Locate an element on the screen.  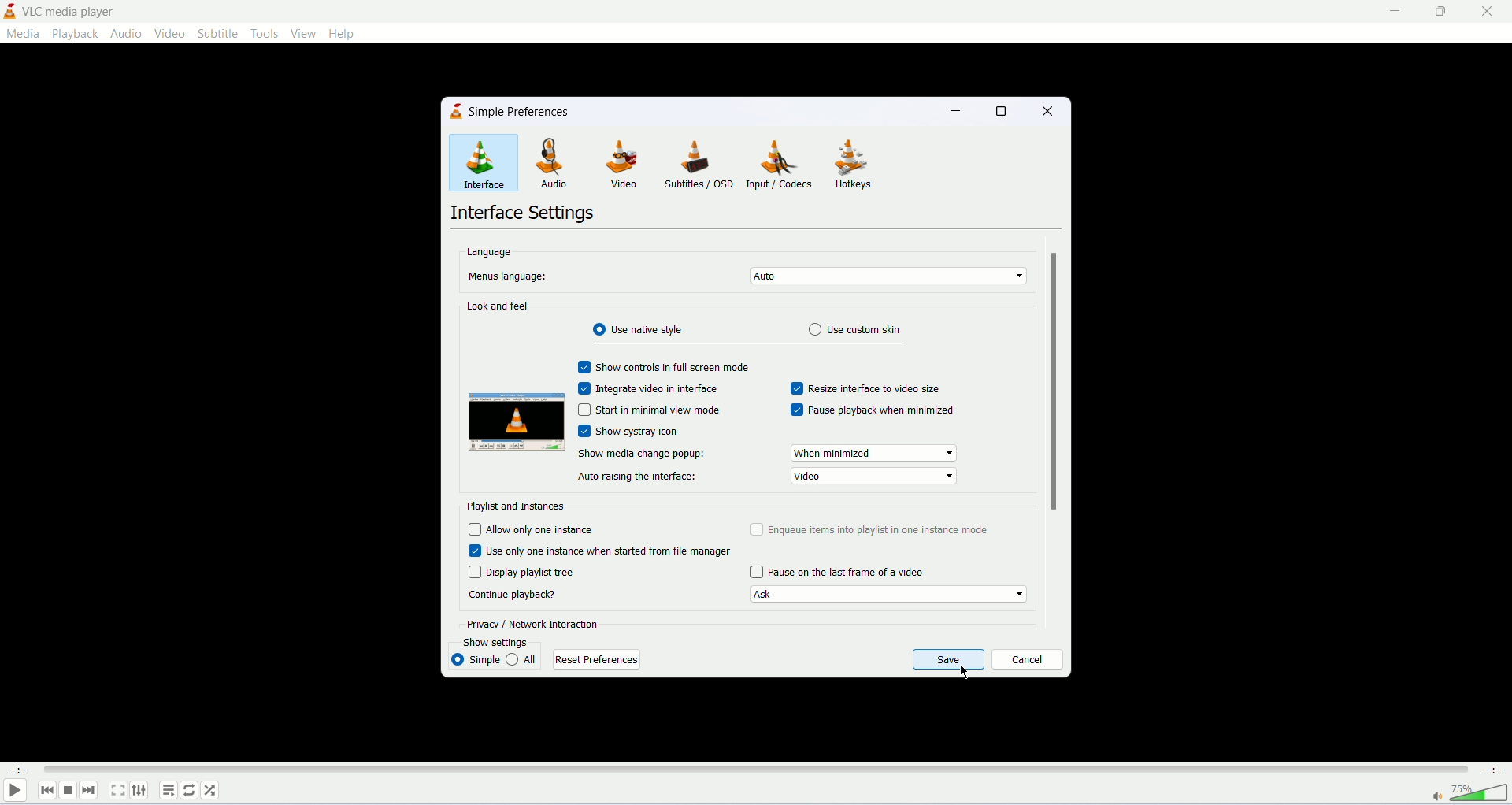
close is located at coordinates (1488, 12).